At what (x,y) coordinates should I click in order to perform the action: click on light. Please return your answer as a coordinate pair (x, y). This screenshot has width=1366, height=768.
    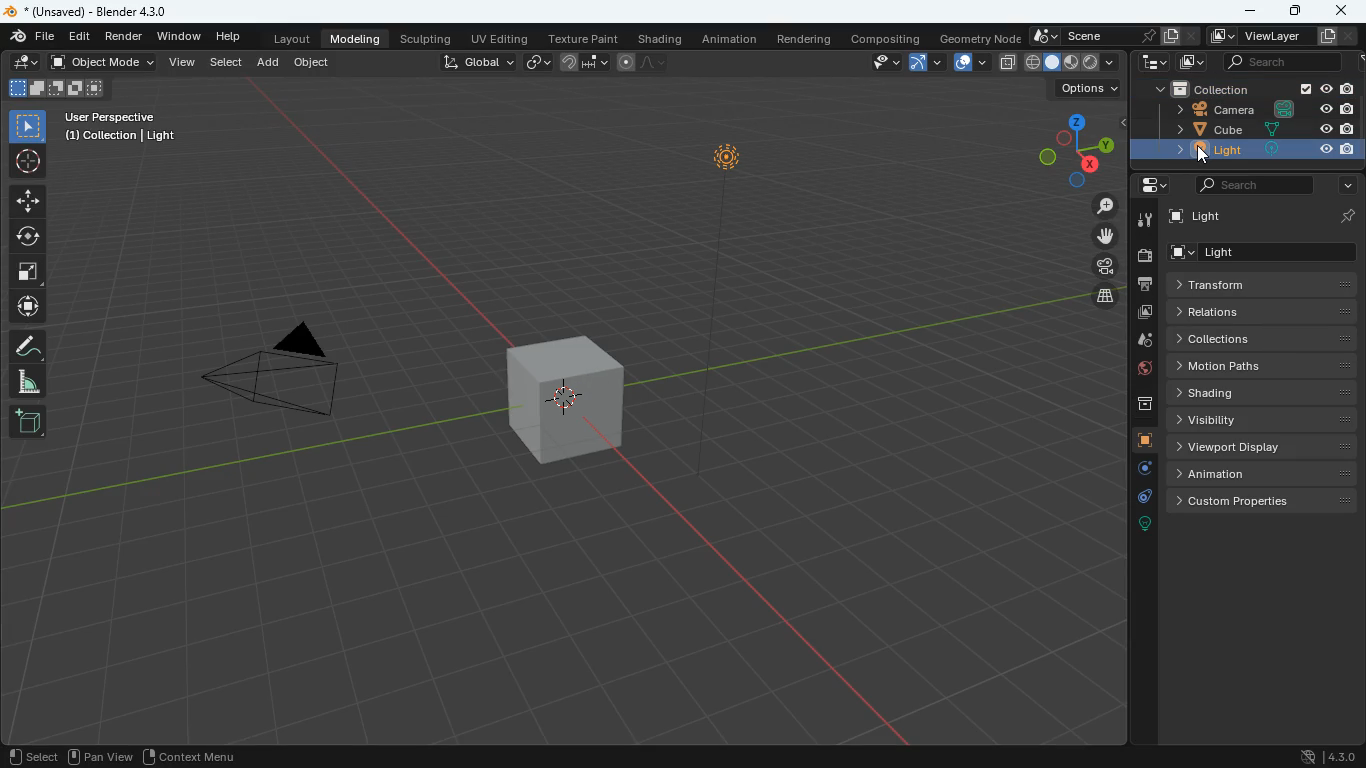
    Looking at the image, I should click on (735, 304).